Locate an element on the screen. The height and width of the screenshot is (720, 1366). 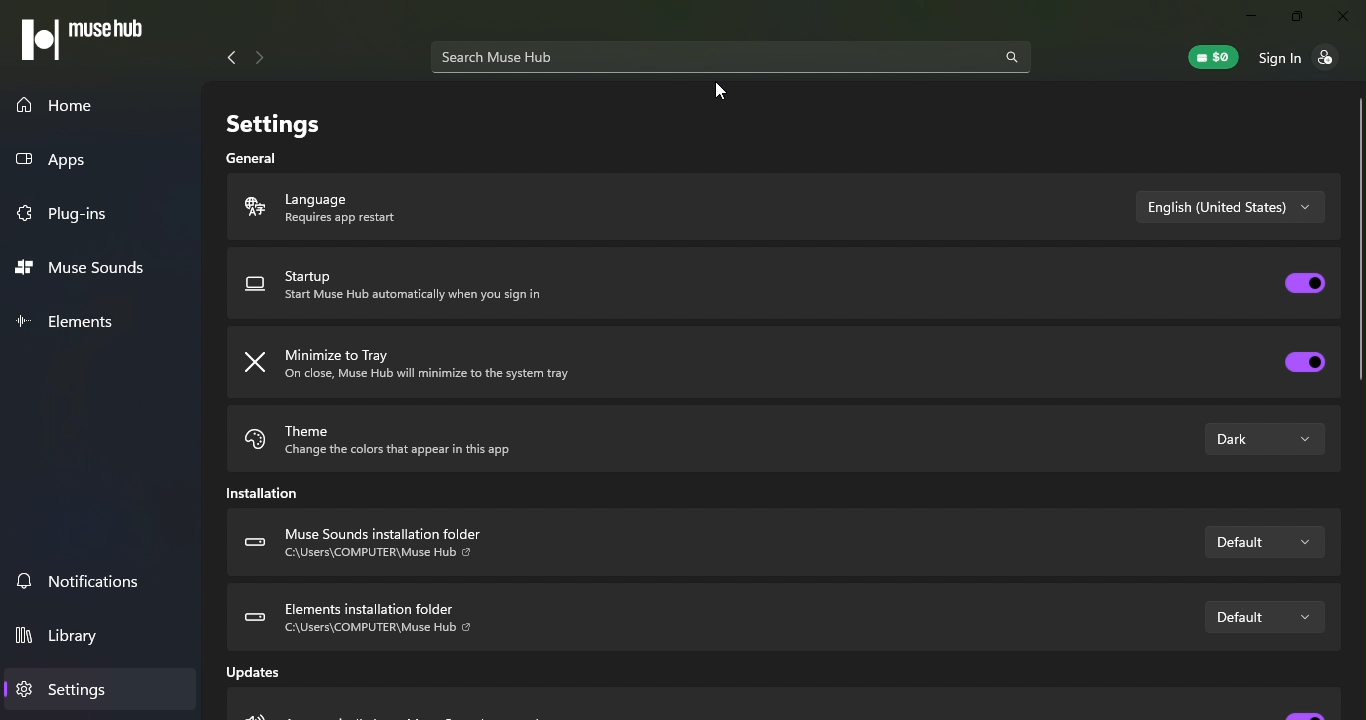
theme logo is located at coordinates (254, 443).